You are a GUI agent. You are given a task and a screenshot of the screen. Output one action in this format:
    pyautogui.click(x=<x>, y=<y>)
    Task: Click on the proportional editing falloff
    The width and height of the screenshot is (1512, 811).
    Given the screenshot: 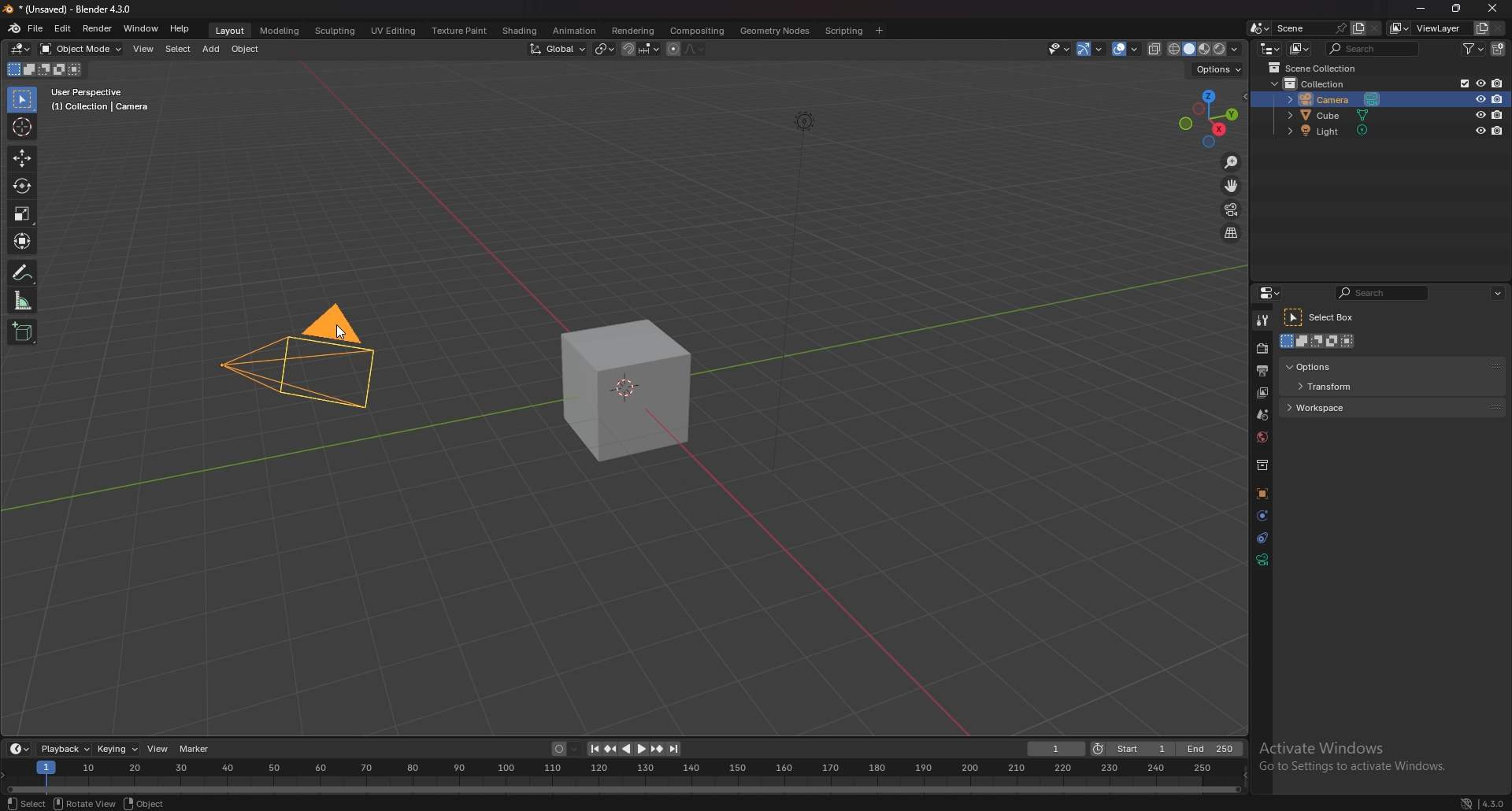 What is the action you would take?
    pyautogui.click(x=696, y=48)
    